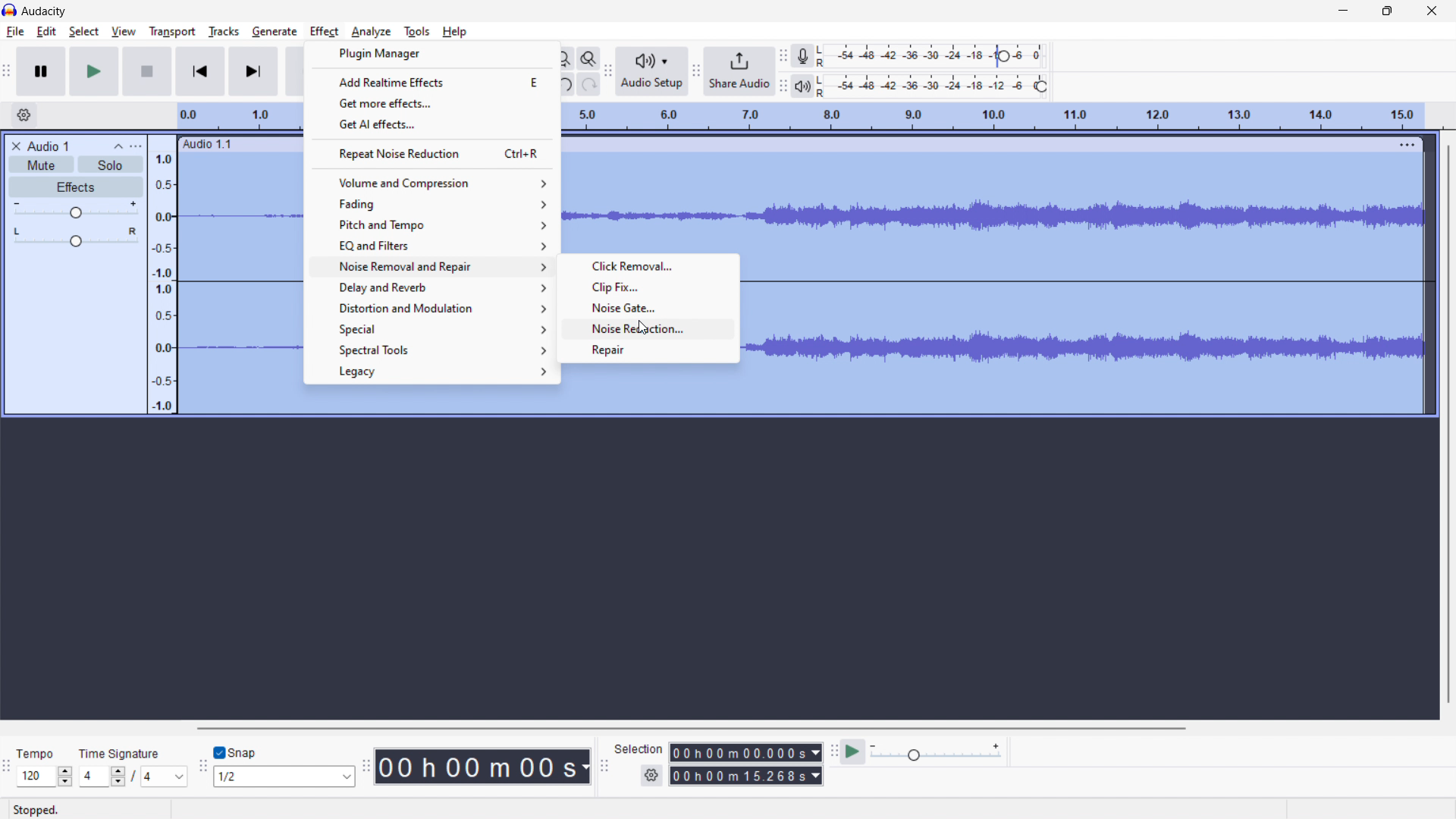  I want to click on playback meter, so click(937, 752).